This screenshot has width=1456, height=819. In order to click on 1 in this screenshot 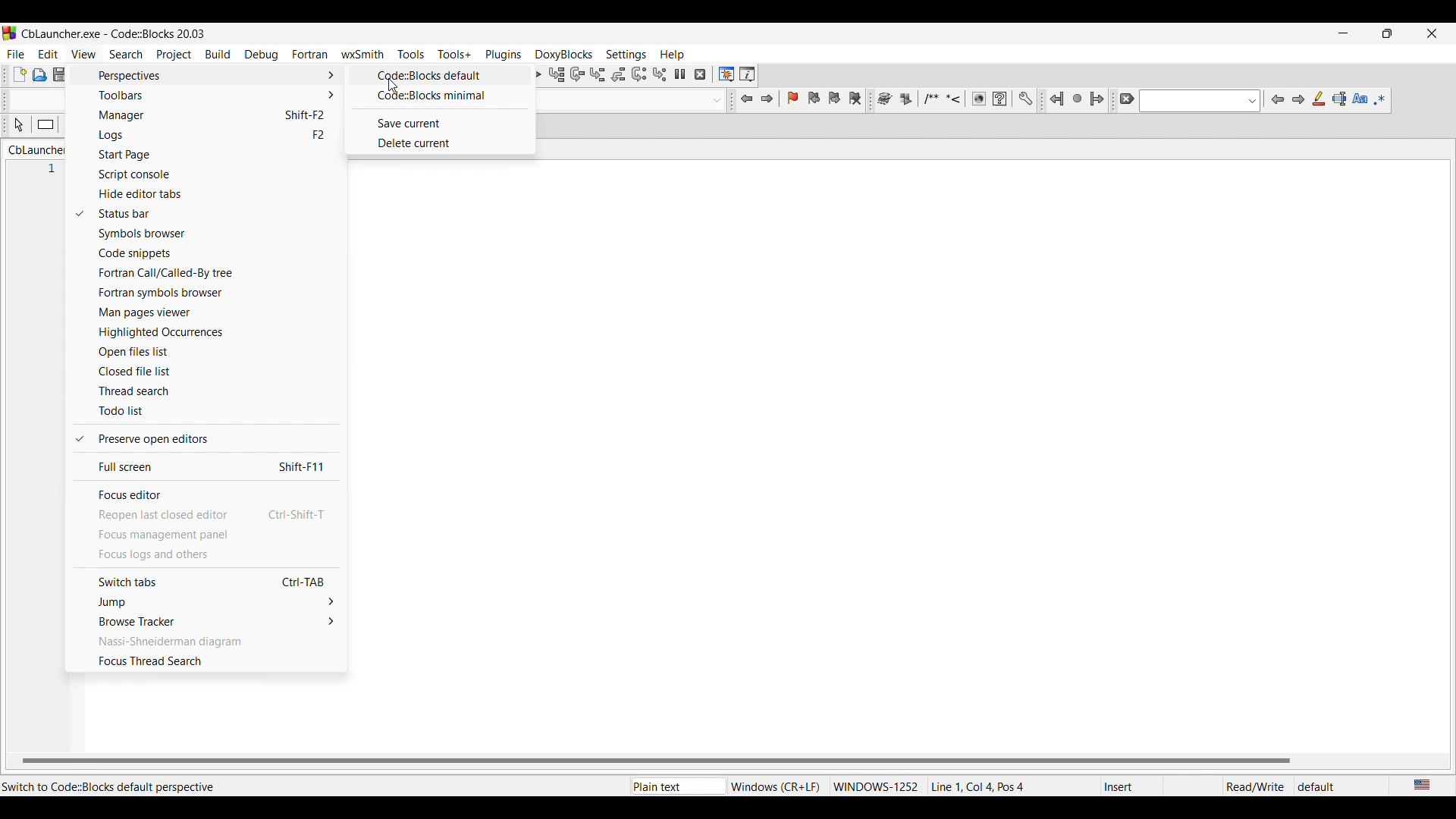, I will do `click(59, 171)`.